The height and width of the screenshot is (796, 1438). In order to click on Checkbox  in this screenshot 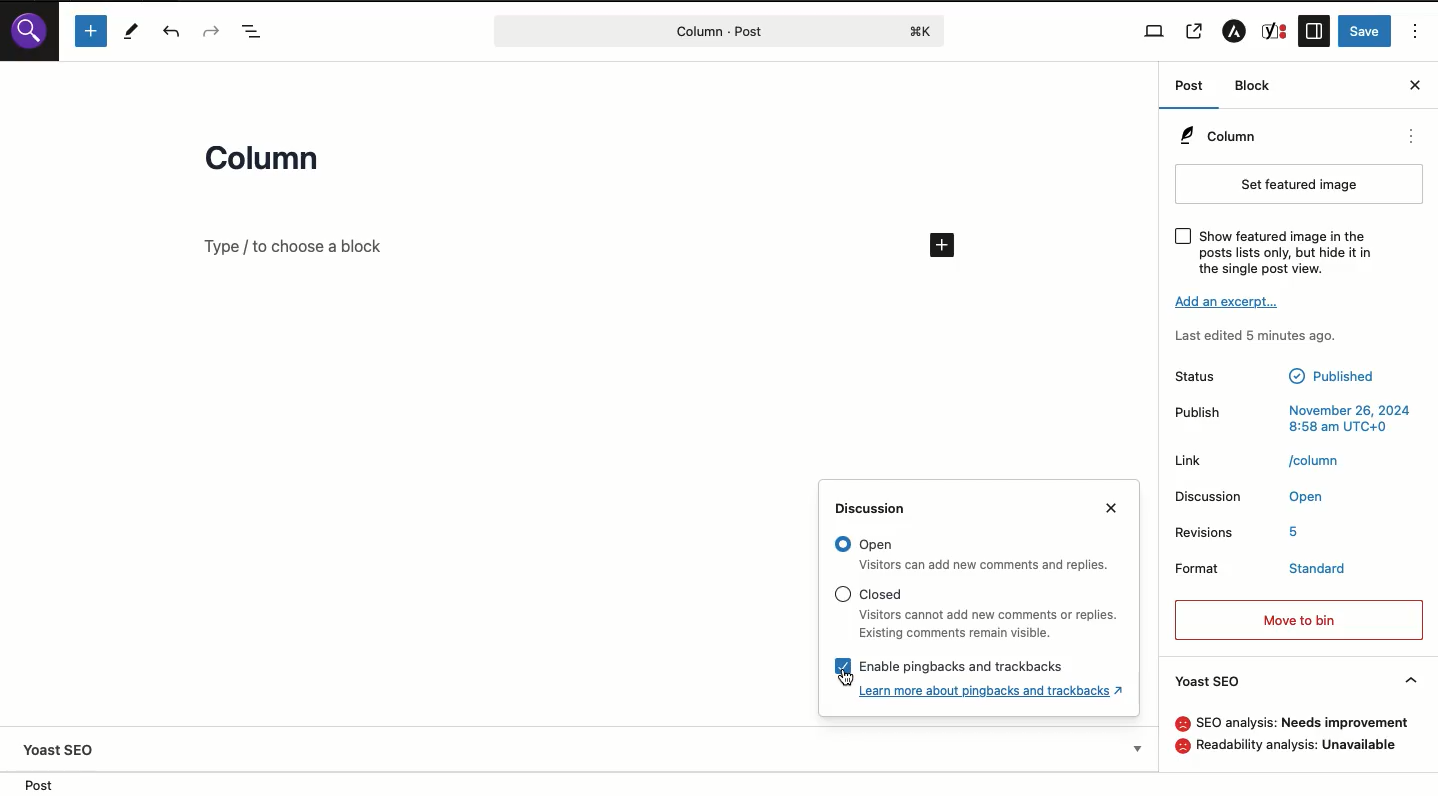, I will do `click(842, 544)`.